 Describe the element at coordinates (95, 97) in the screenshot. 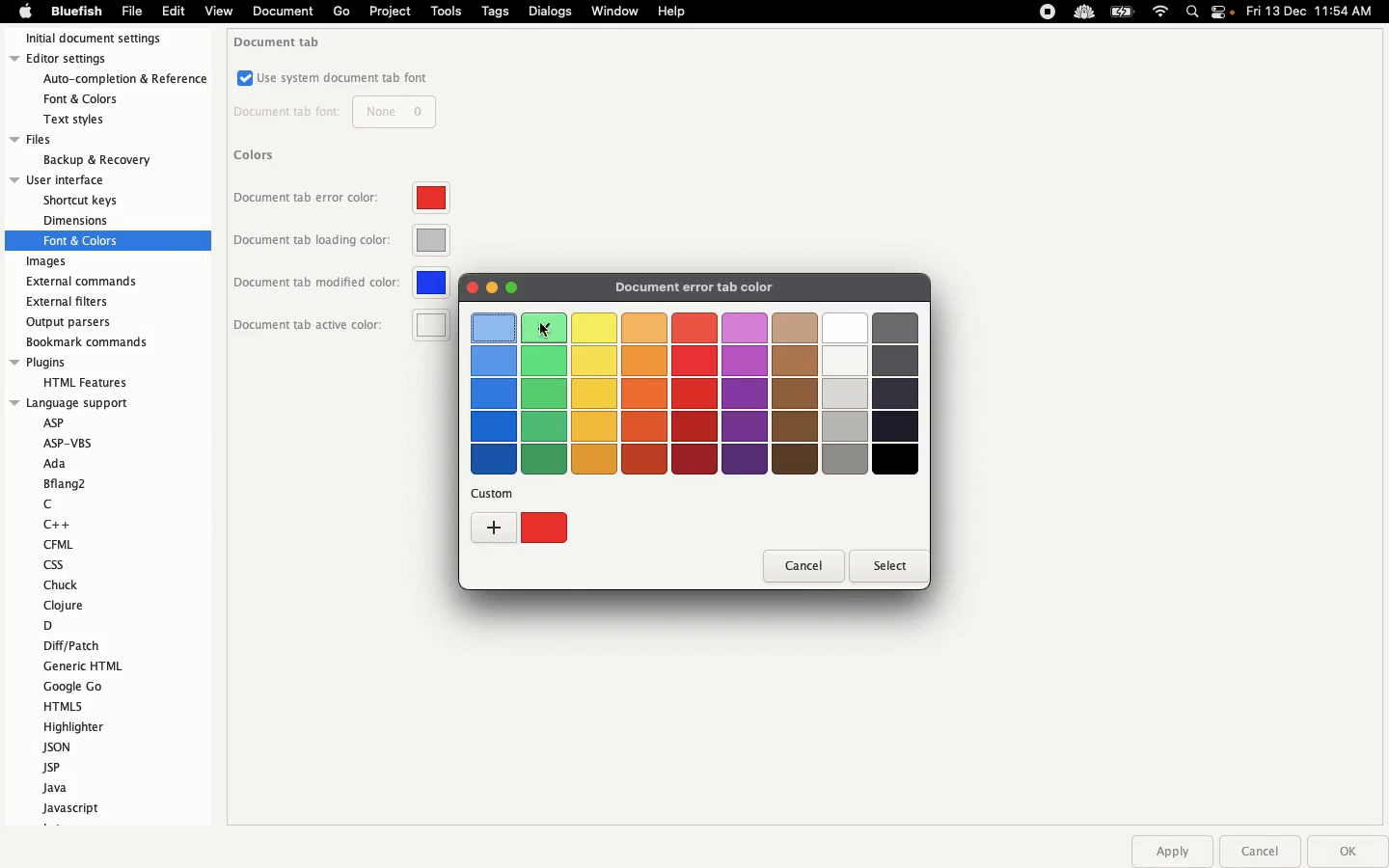

I see `fonts & colors` at that location.